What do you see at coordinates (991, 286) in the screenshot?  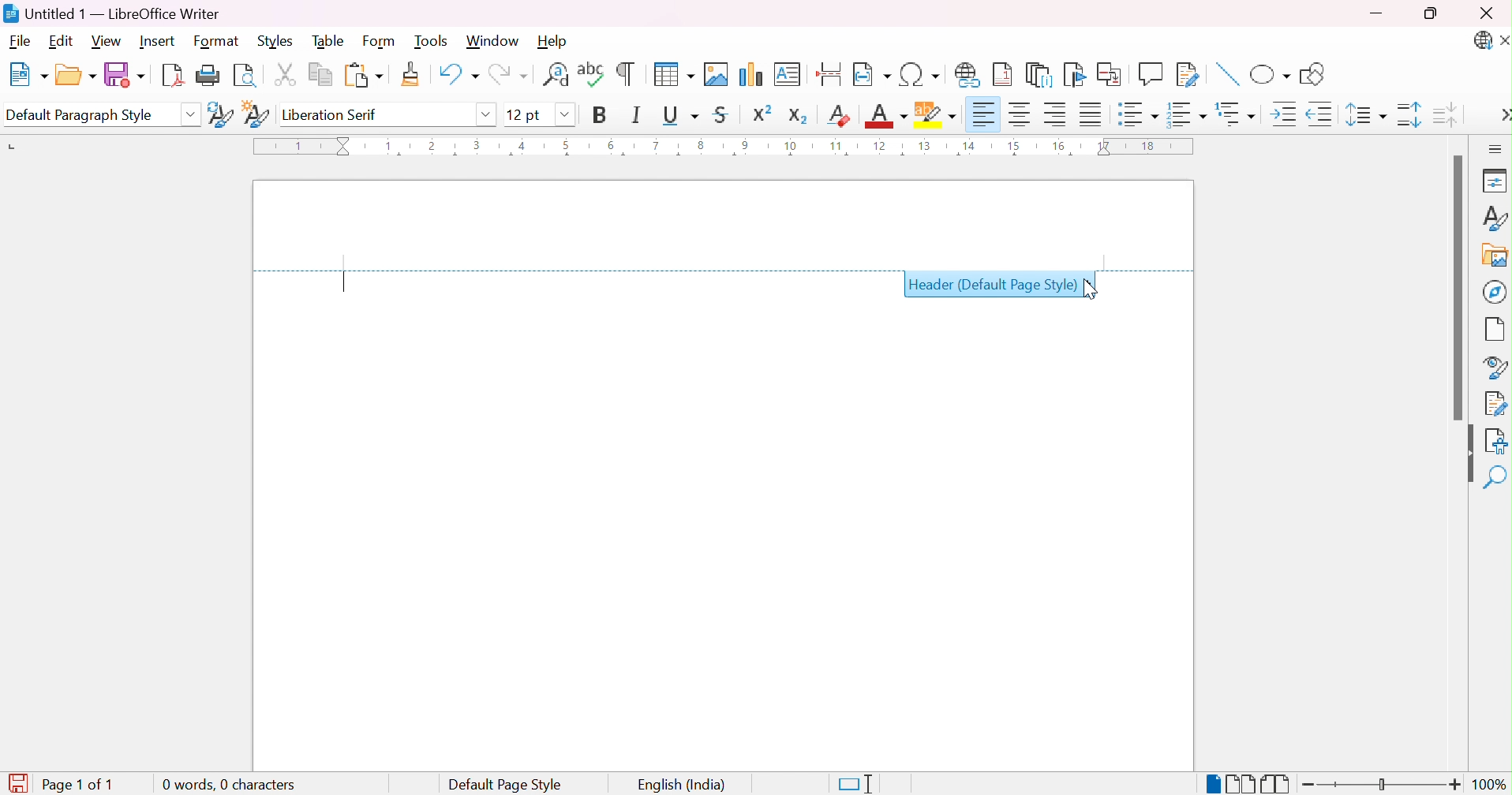 I see `Header (Default Page Style))` at bounding box center [991, 286].